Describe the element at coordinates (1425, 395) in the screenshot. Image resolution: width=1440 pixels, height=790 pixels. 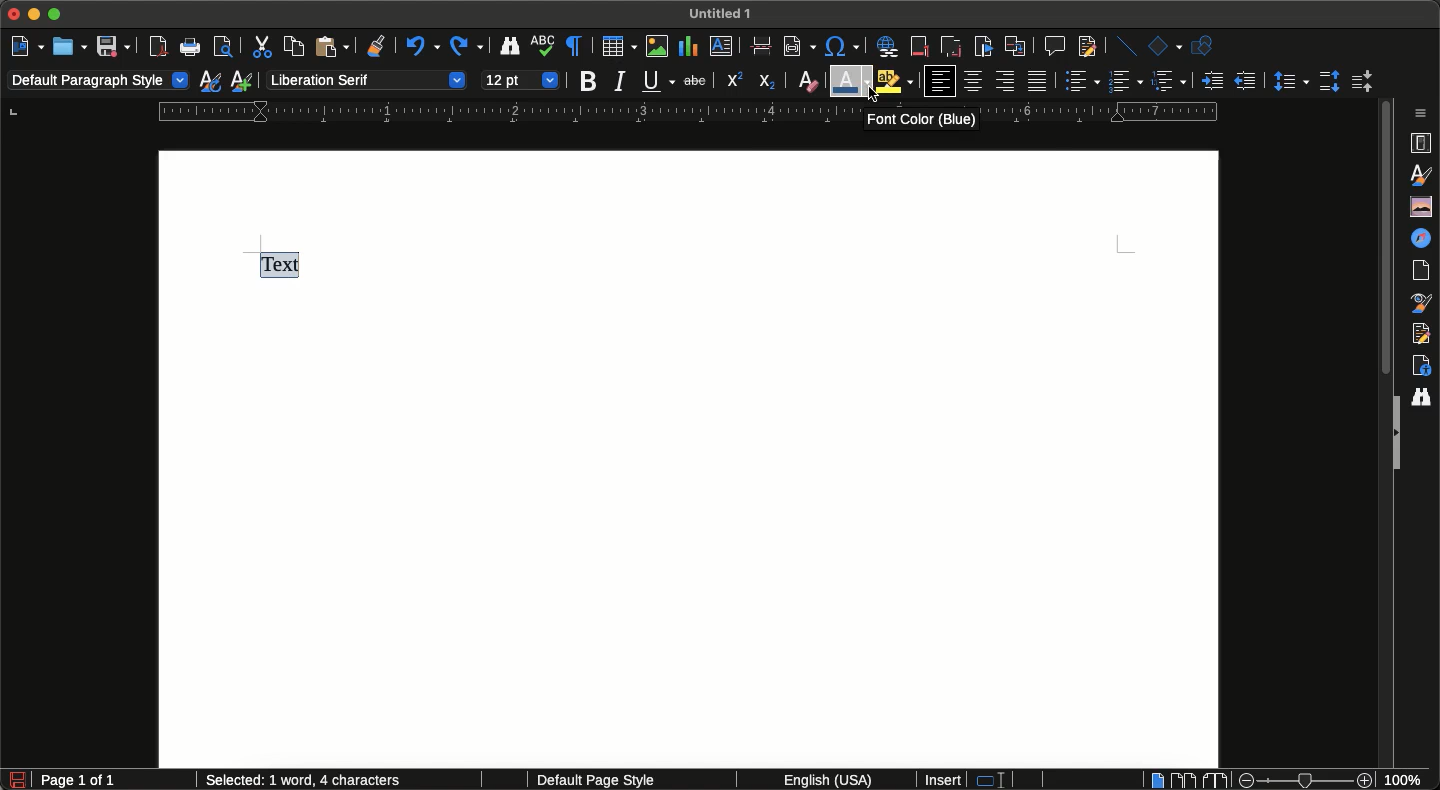
I see `Find` at that location.